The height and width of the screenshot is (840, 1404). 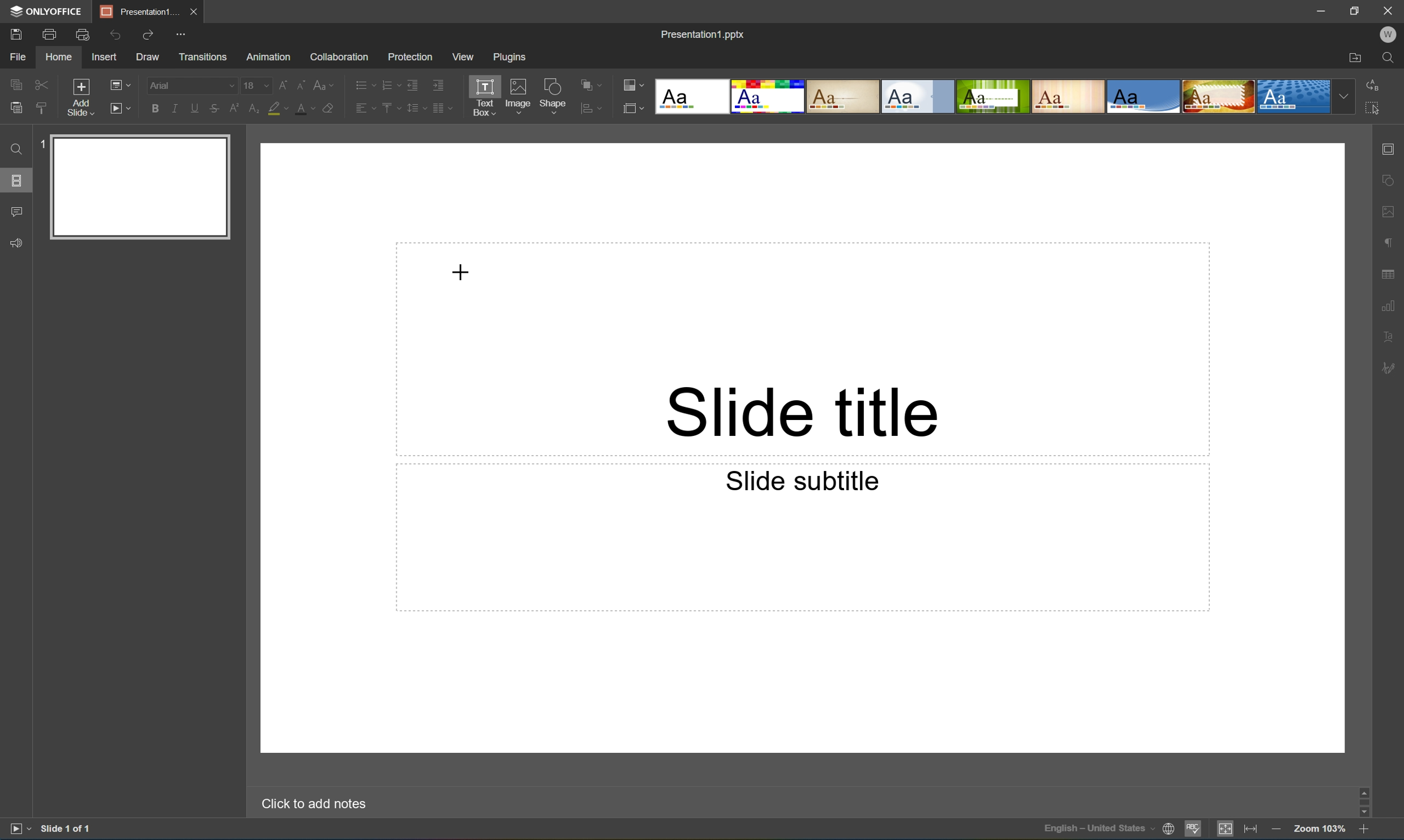 What do you see at coordinates (461, 272) in the screenshot?
I see `Cursor` at bounding box center [461, 272].